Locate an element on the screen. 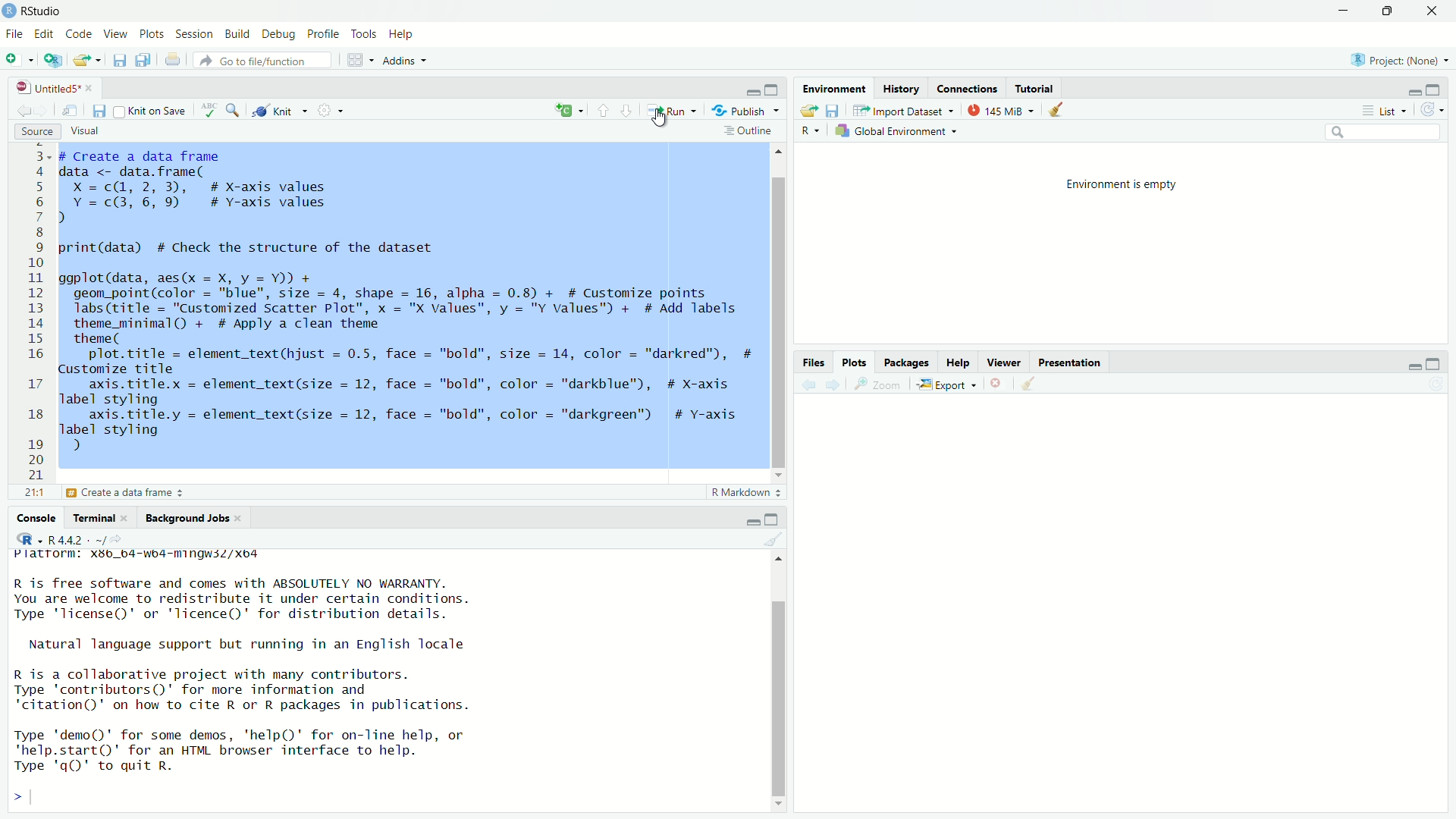 The height and width of the screenshot is (819, 1456). Tutorial is located at coordinates (1036, 90).